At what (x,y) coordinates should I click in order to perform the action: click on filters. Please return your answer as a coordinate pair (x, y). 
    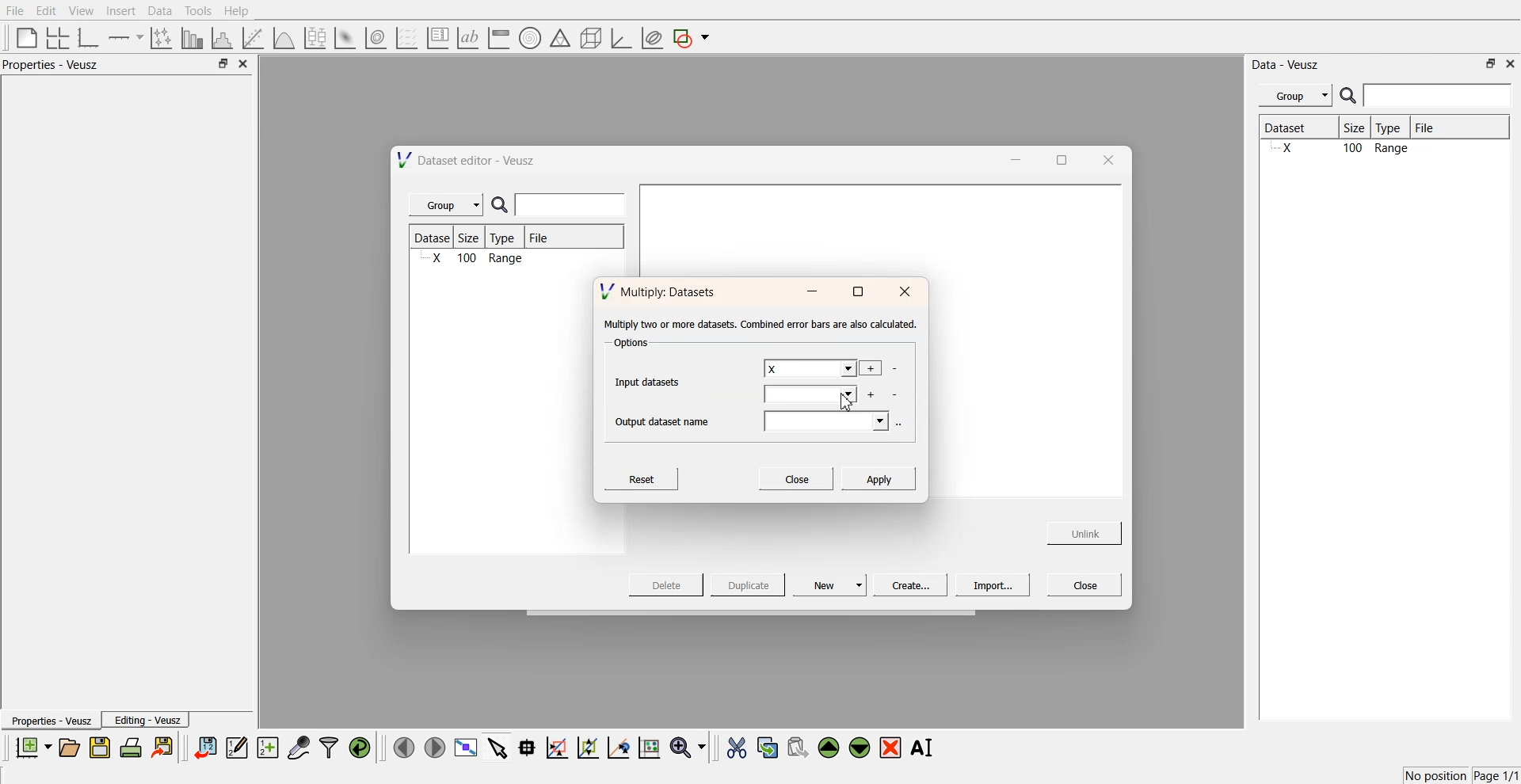
    Looking at the image, I should click on (327, 748).